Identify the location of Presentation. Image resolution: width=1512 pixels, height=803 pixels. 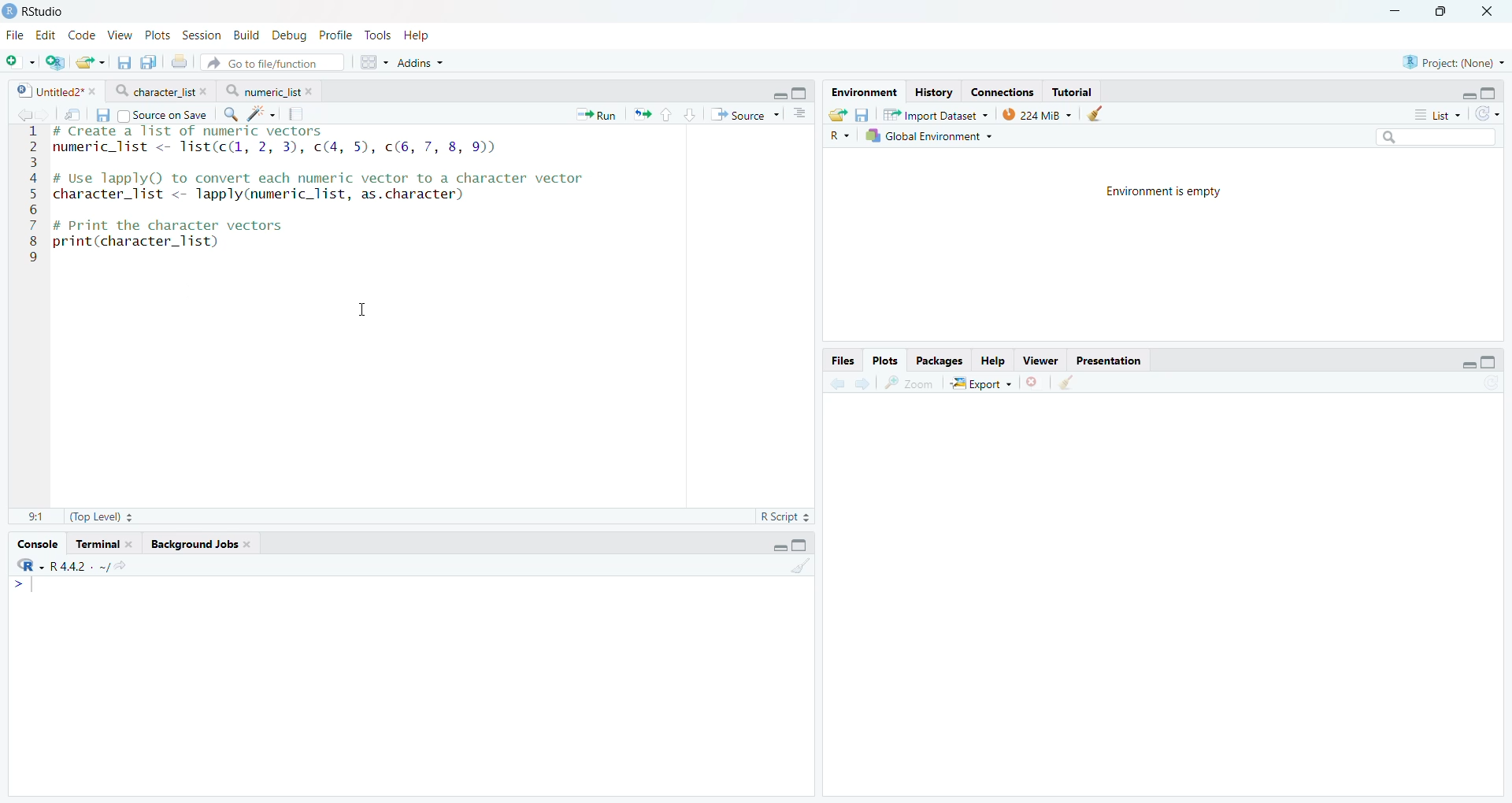
(1108, 361).